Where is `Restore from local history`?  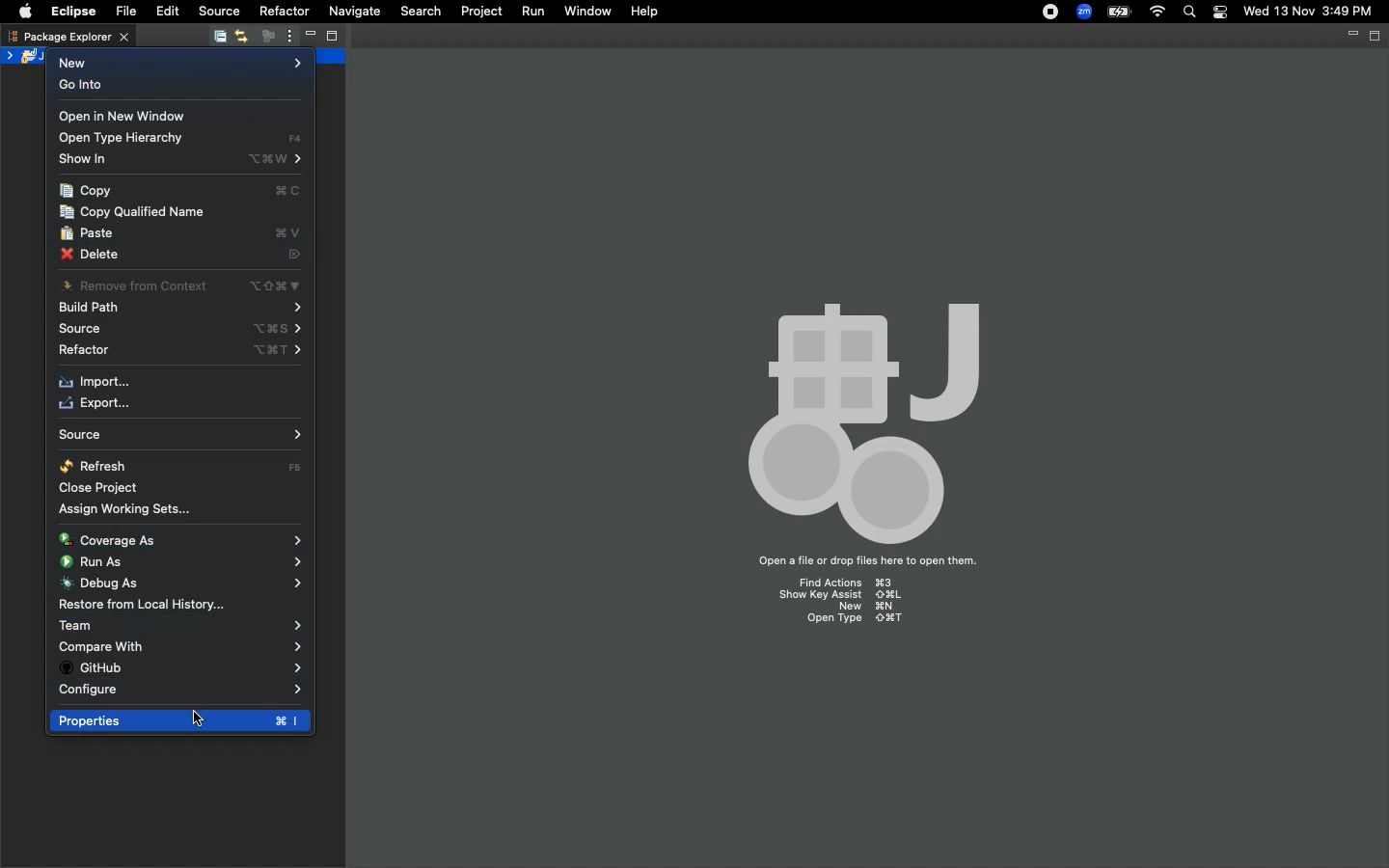 Restore from local history is located at coordinates (141, 606).